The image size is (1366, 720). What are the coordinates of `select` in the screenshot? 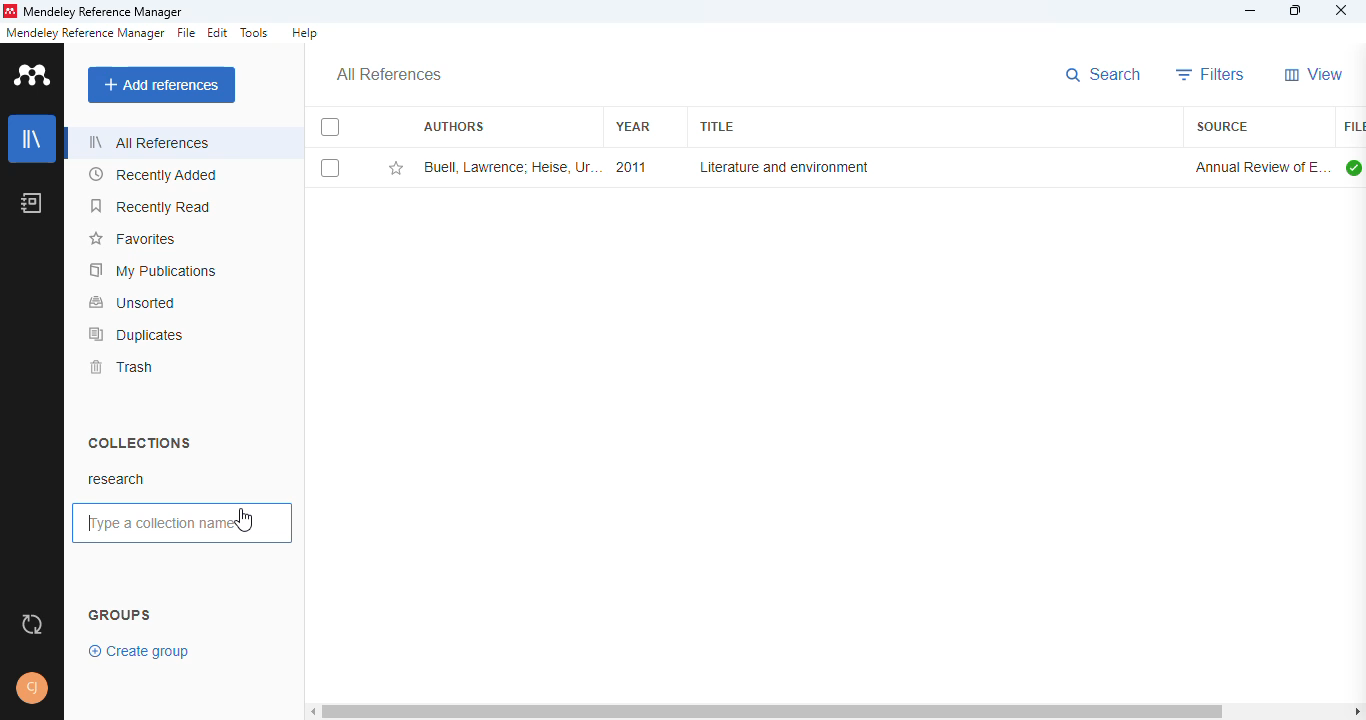 It's located at (331, 127).